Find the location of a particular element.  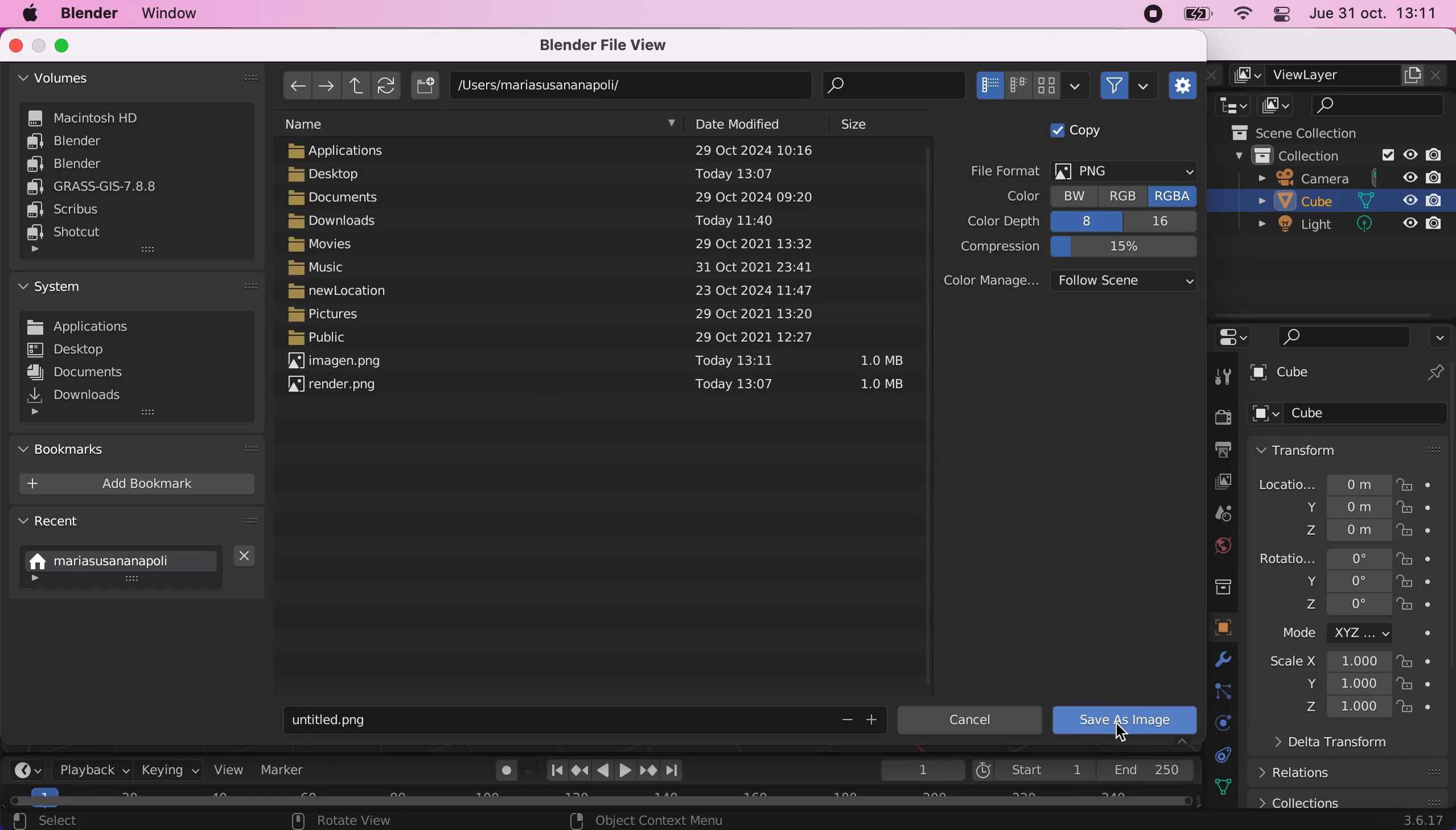

lock is located at coordinates (1417, 710).